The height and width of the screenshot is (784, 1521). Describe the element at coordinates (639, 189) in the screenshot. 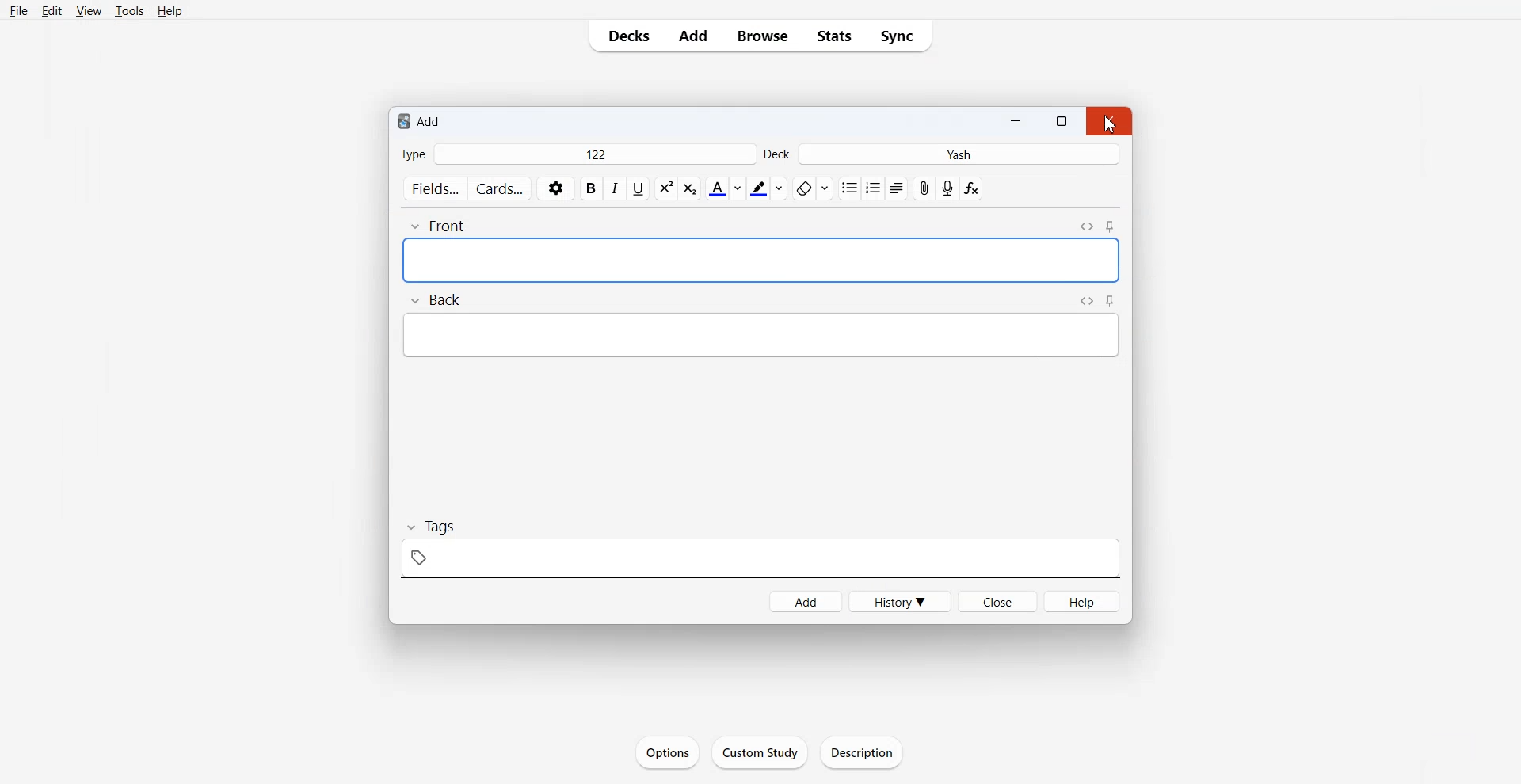

I see `Underline` at that location.